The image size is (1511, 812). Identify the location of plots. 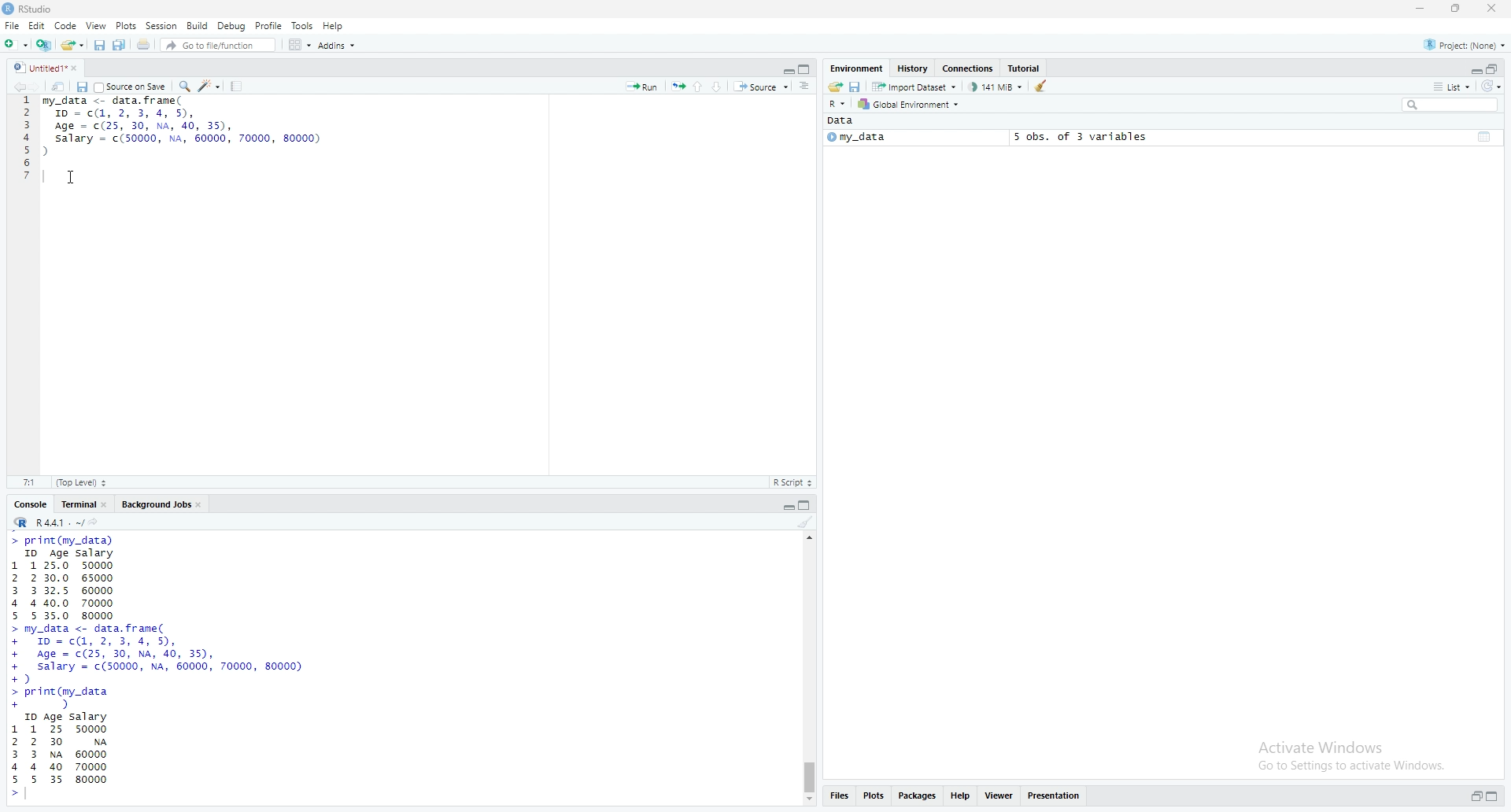
(875, 795).